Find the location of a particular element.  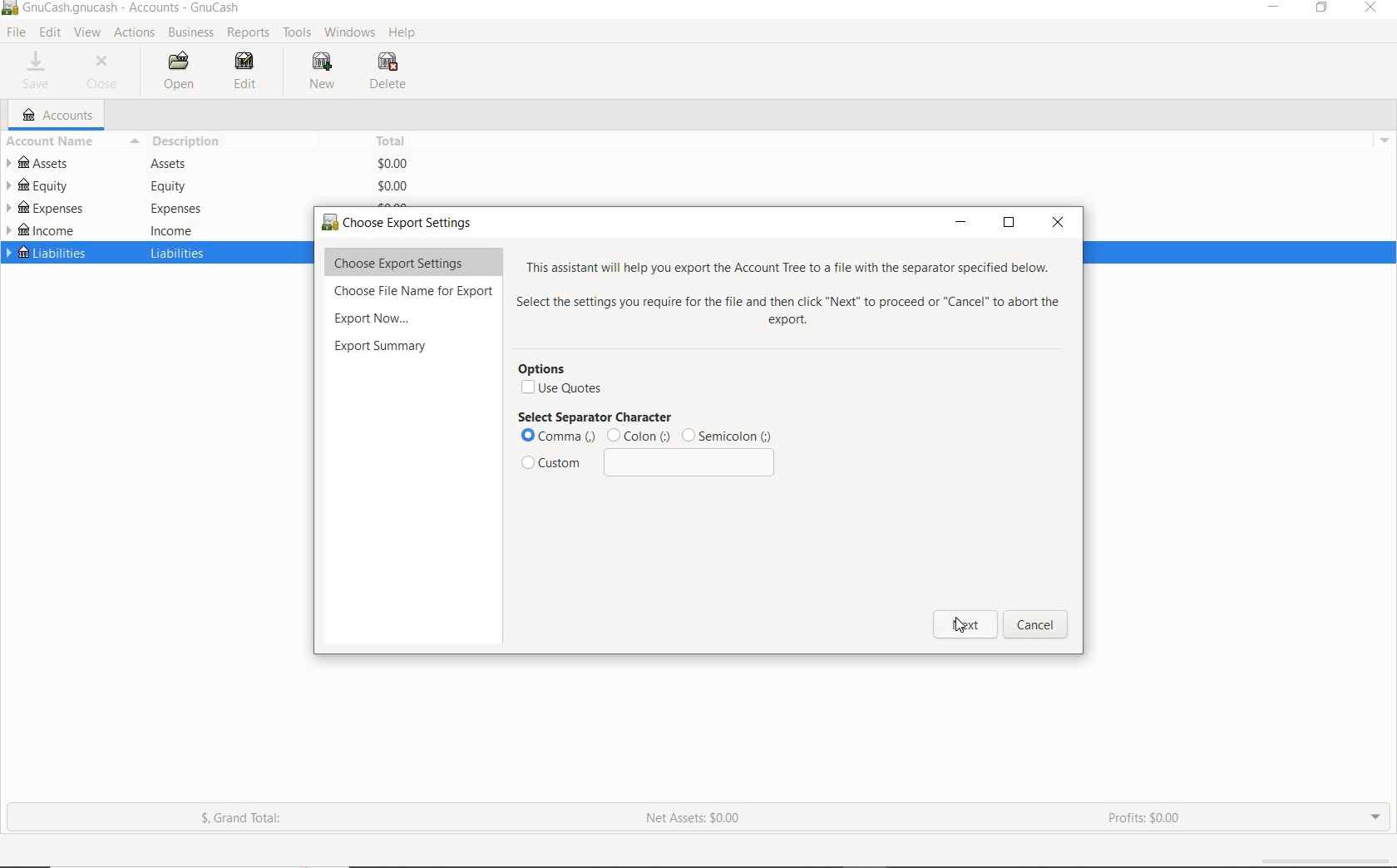

EQUITY is located at coordinates (43, 185).